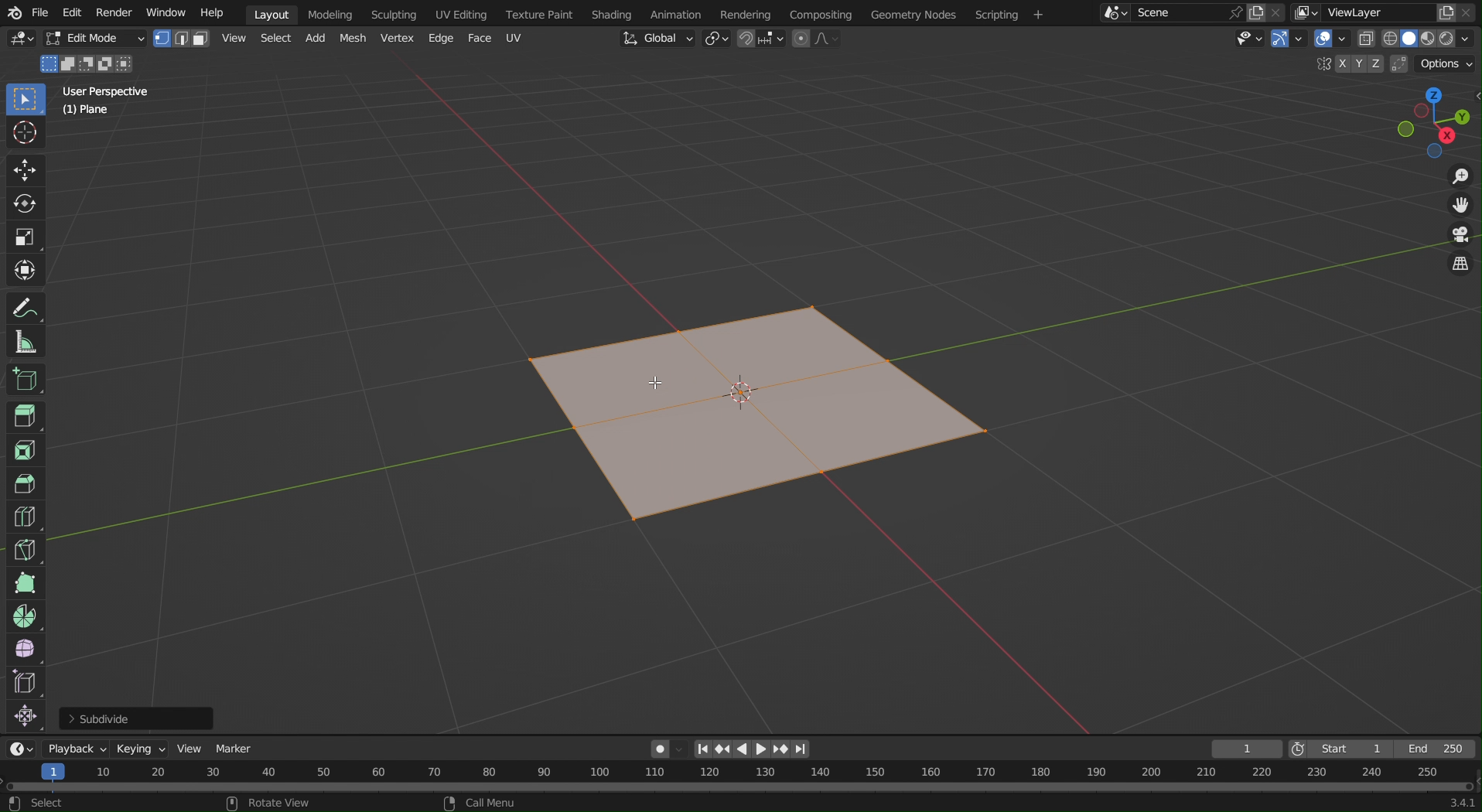 This screenshot has height=812, width=1482. Describe the element at coordinates (1459, 178) in the screenshot. I see `Zoom` at that location.